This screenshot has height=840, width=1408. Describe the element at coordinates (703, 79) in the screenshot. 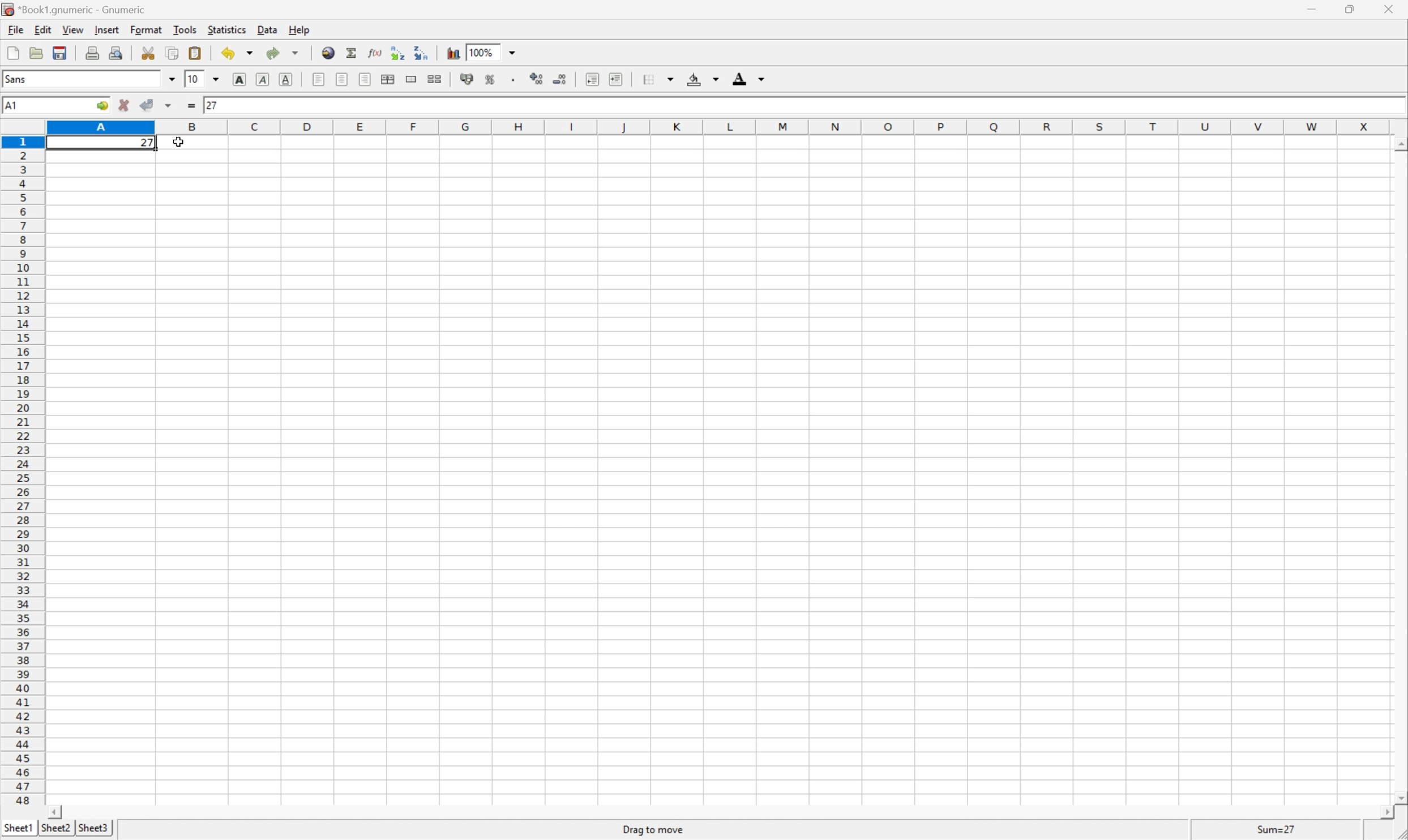

I see `Background` at that location.